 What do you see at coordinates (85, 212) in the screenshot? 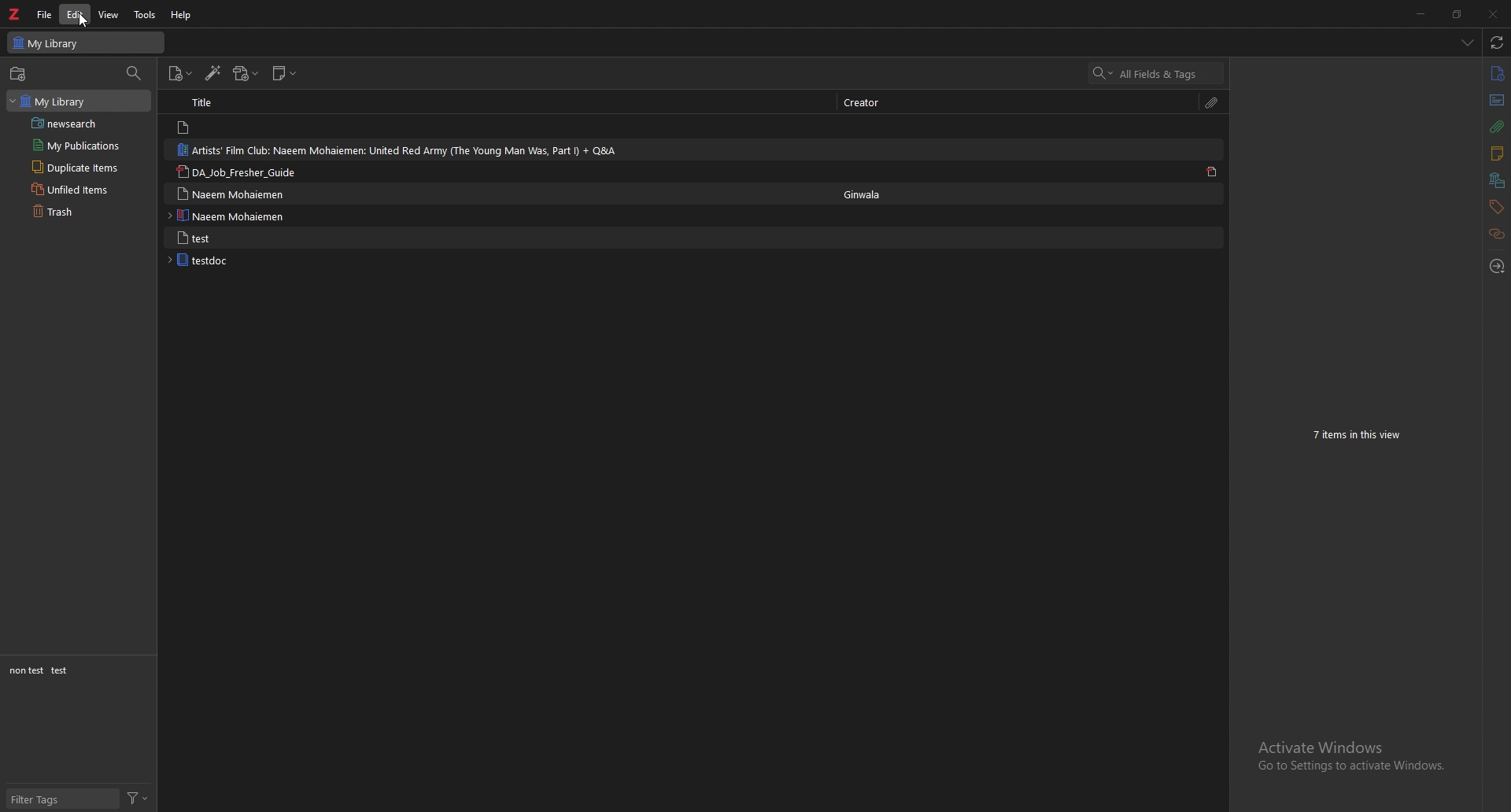
I see `trash` at bounding box center [85, 212].